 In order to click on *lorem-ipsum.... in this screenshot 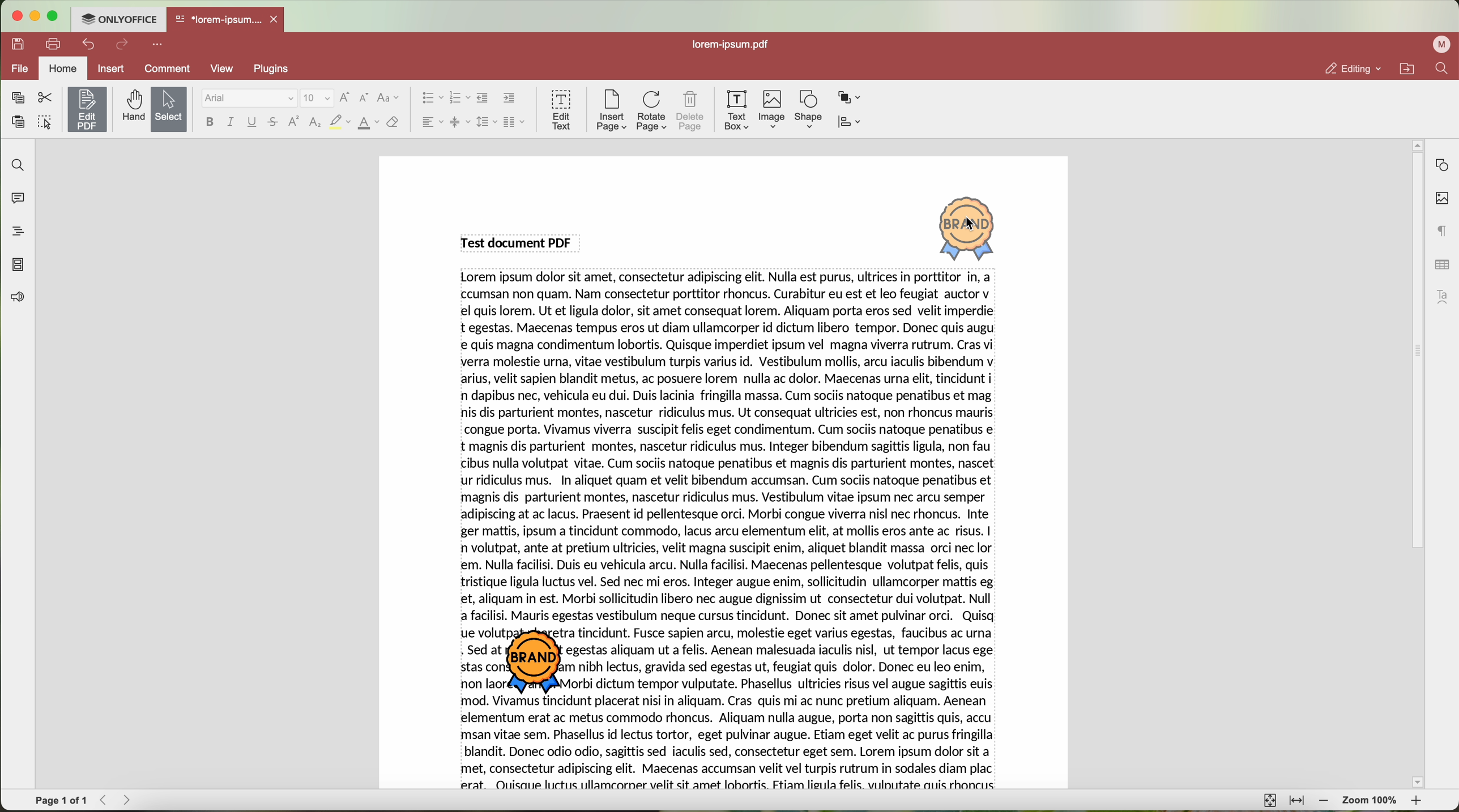, I will do `click(217, 17)`.